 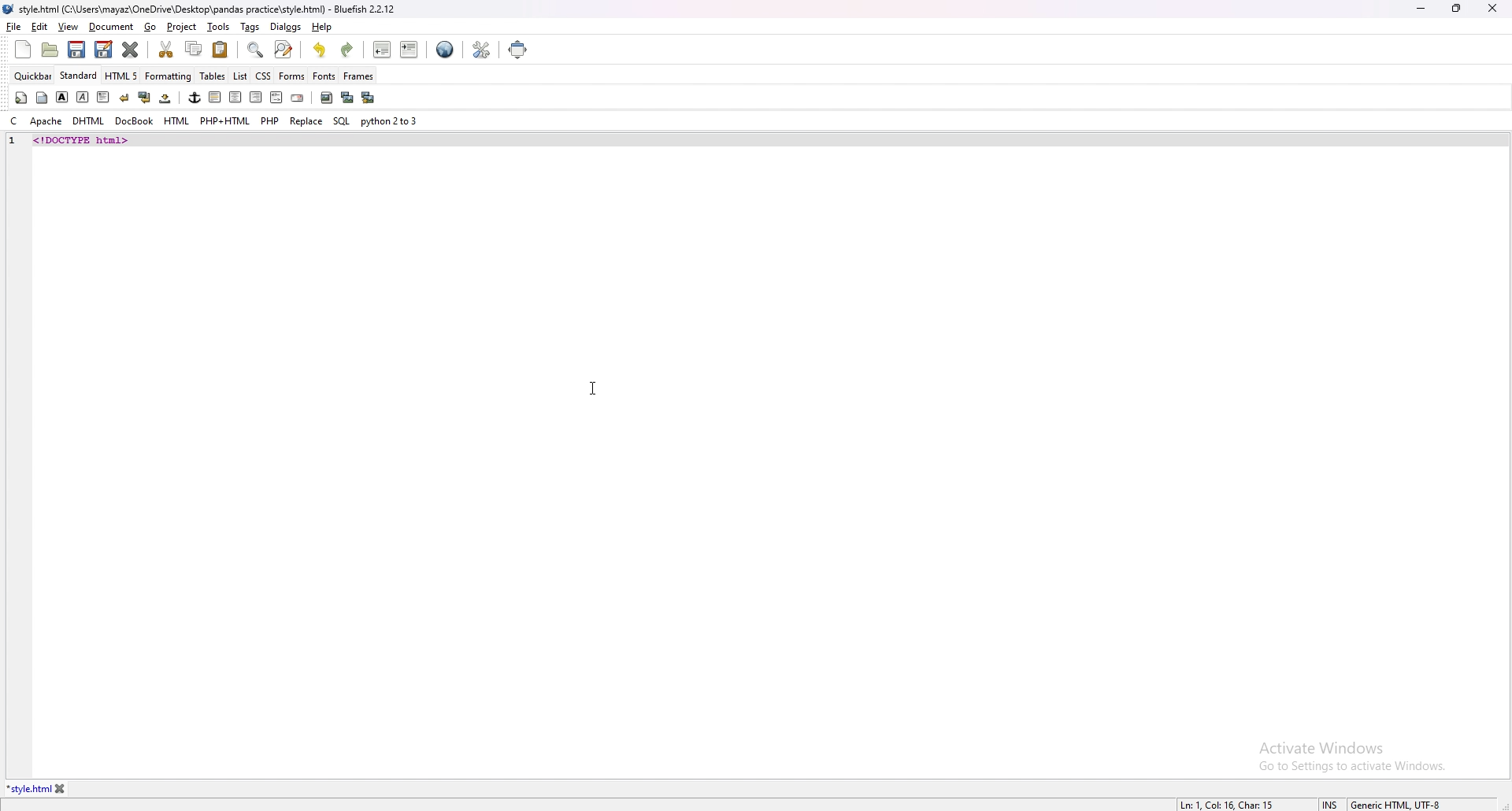 What do you see at coordinates (276, 98) in the screenshot?
I see `html comment` at bounding box center [276, 98].